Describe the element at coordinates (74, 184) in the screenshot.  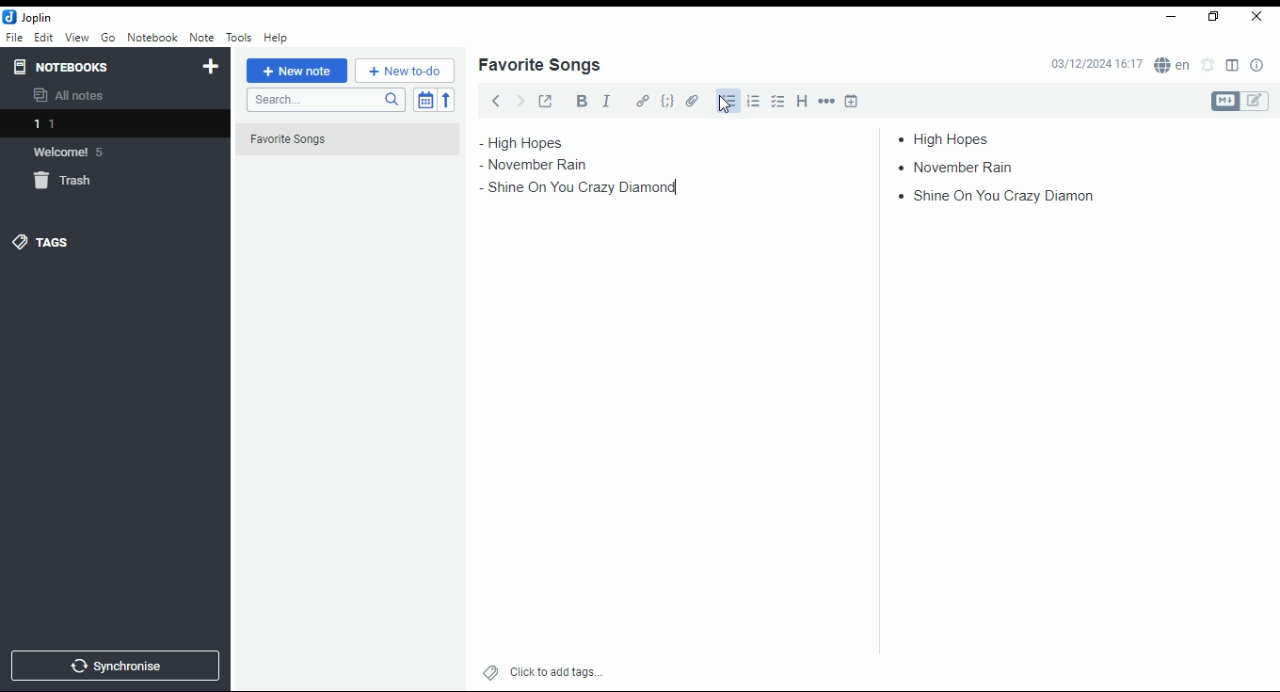
I see `trash` at that location.